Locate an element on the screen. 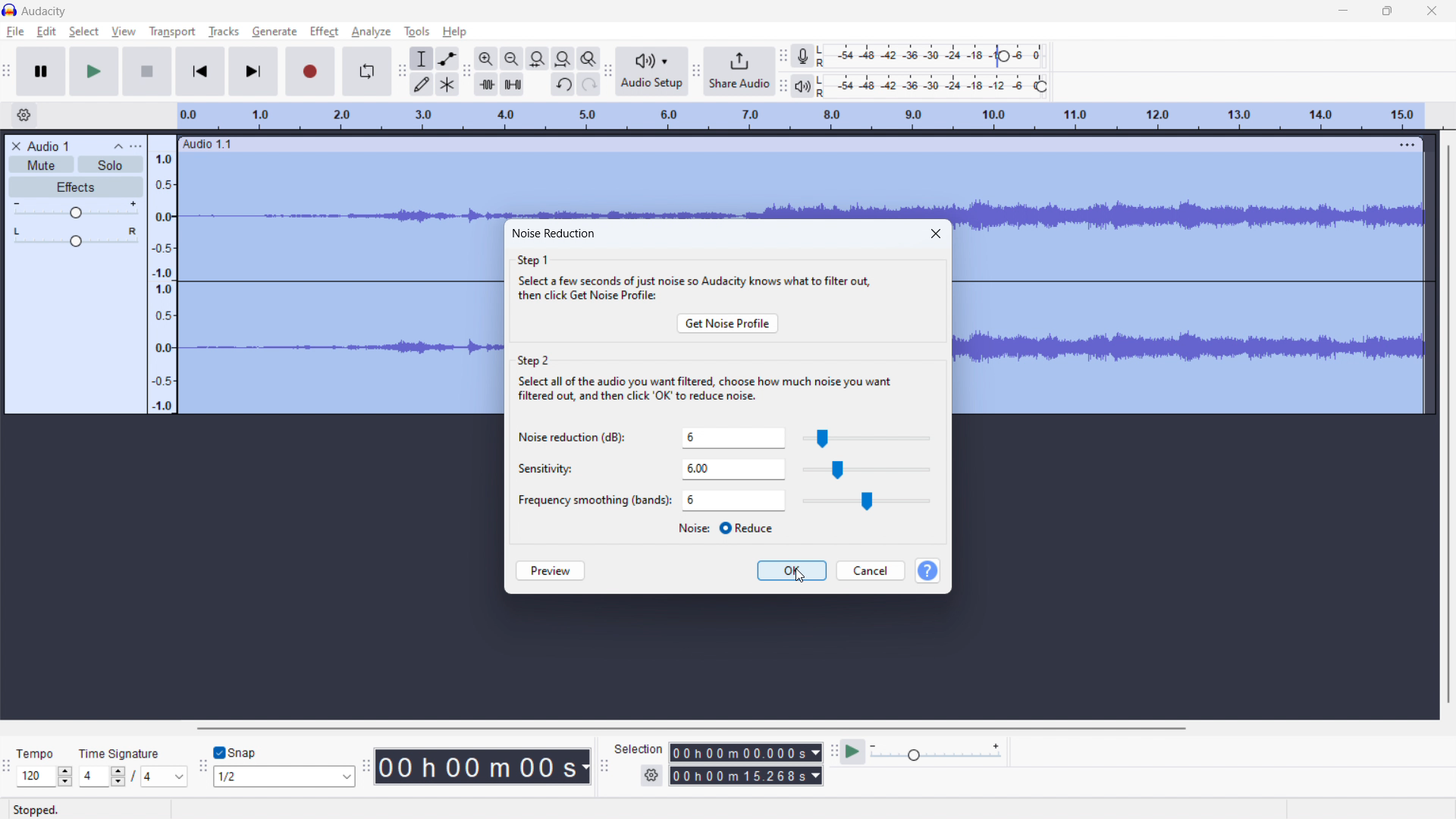 The width and height of the screenshot is (1456, 819). fit selection to width is located at coordinates (537, 59).